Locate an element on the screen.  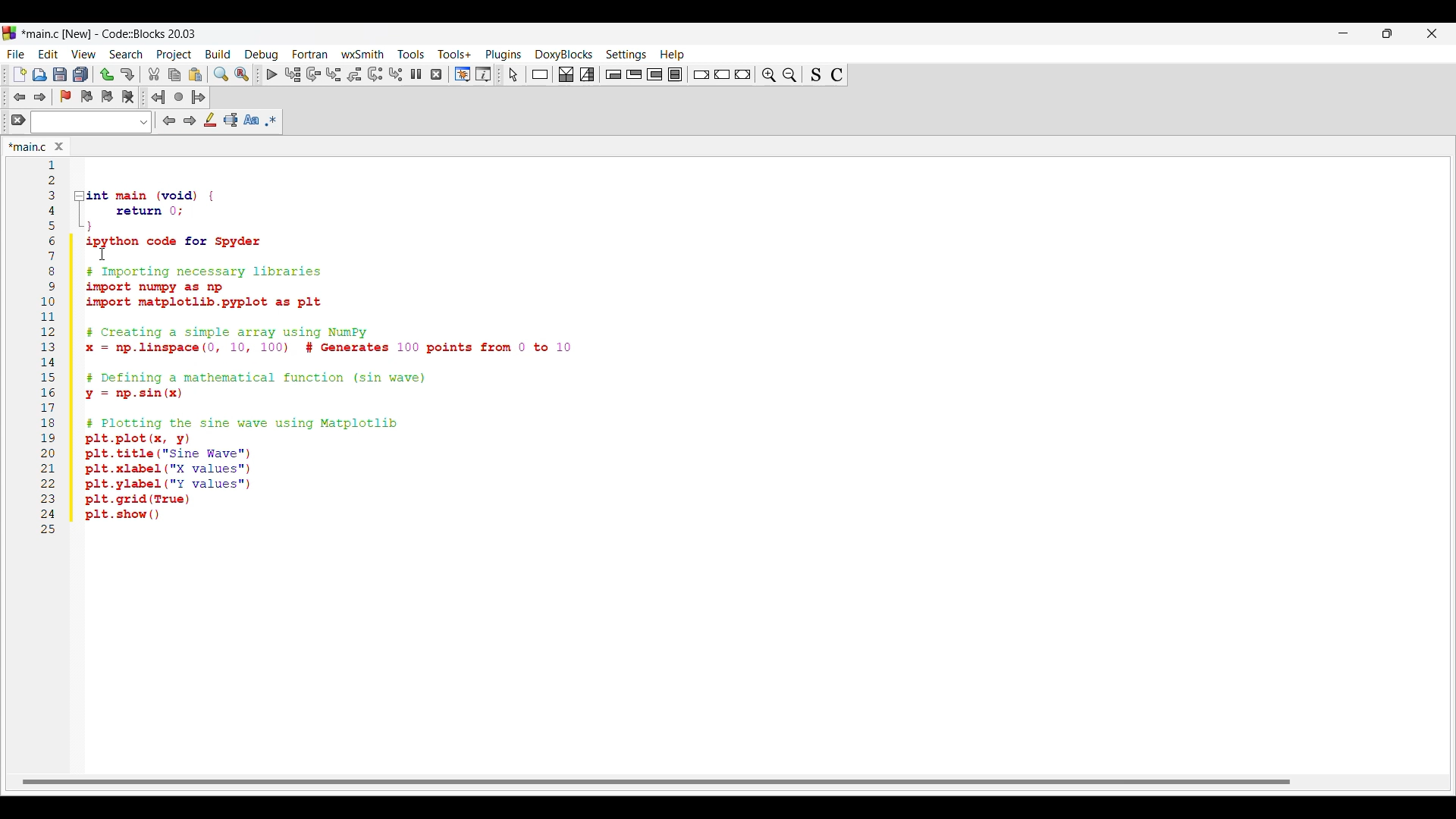
Open is located at coordinates (39, 75).